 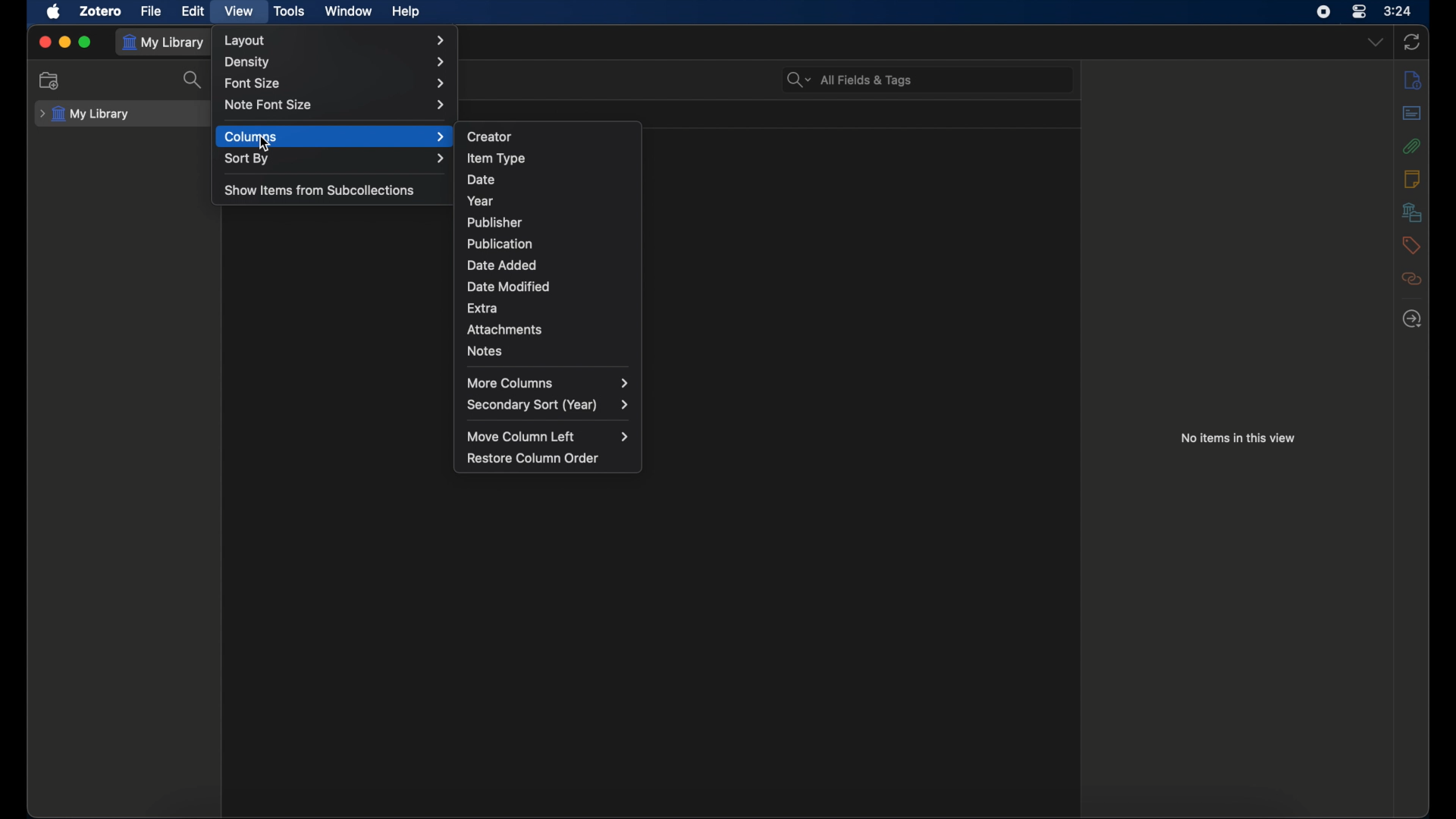 I want to click on show items from subcollections, so click(x=320, y=190).